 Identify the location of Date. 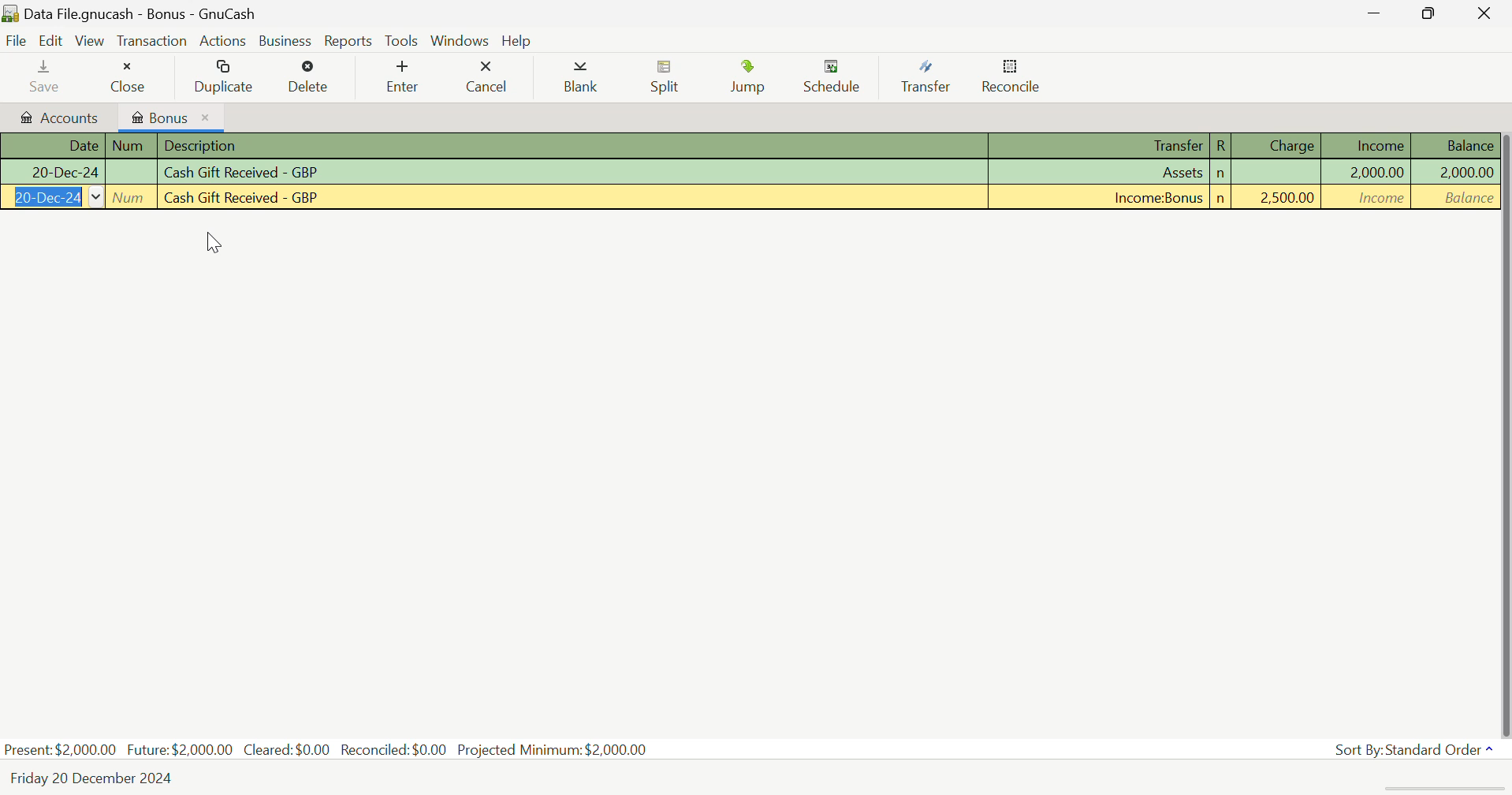
(52, 146).